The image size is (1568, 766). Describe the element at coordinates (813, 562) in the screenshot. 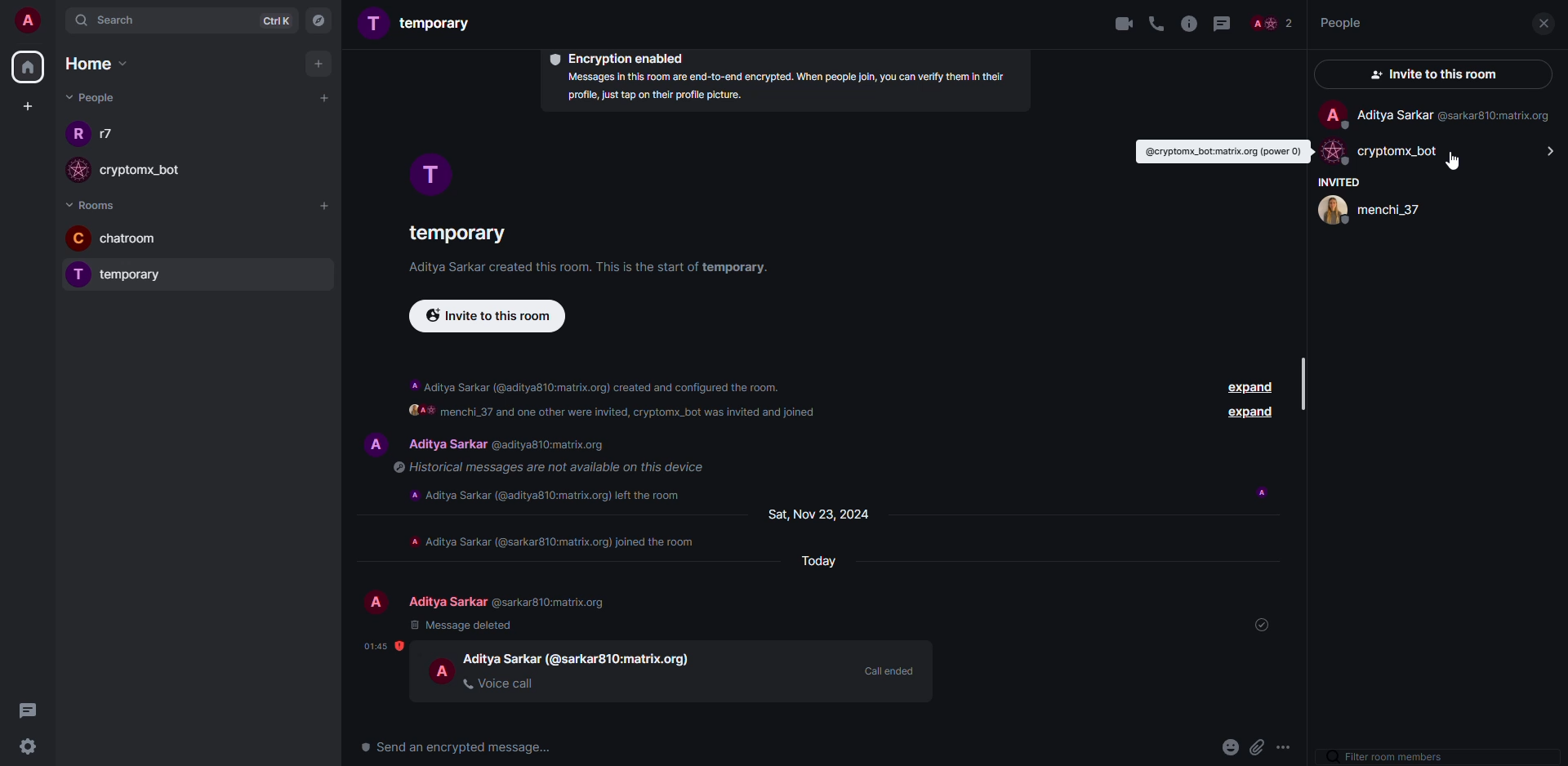

I see `day` at that location.